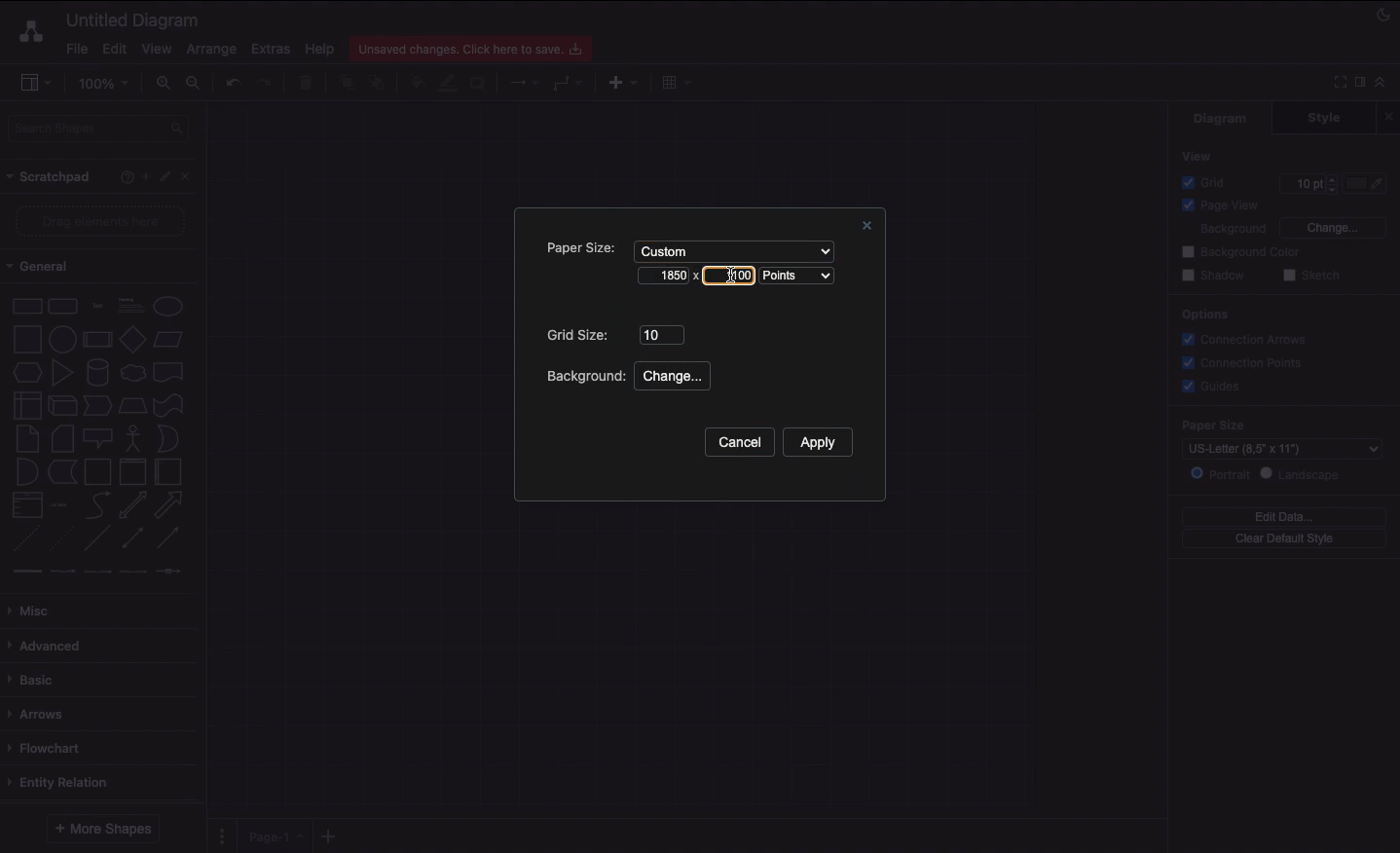 This screenshot has width=1400, height=853. Describe the element at coordinates (97, 503) in the screenshot. I see `Curved arrow` at that location.